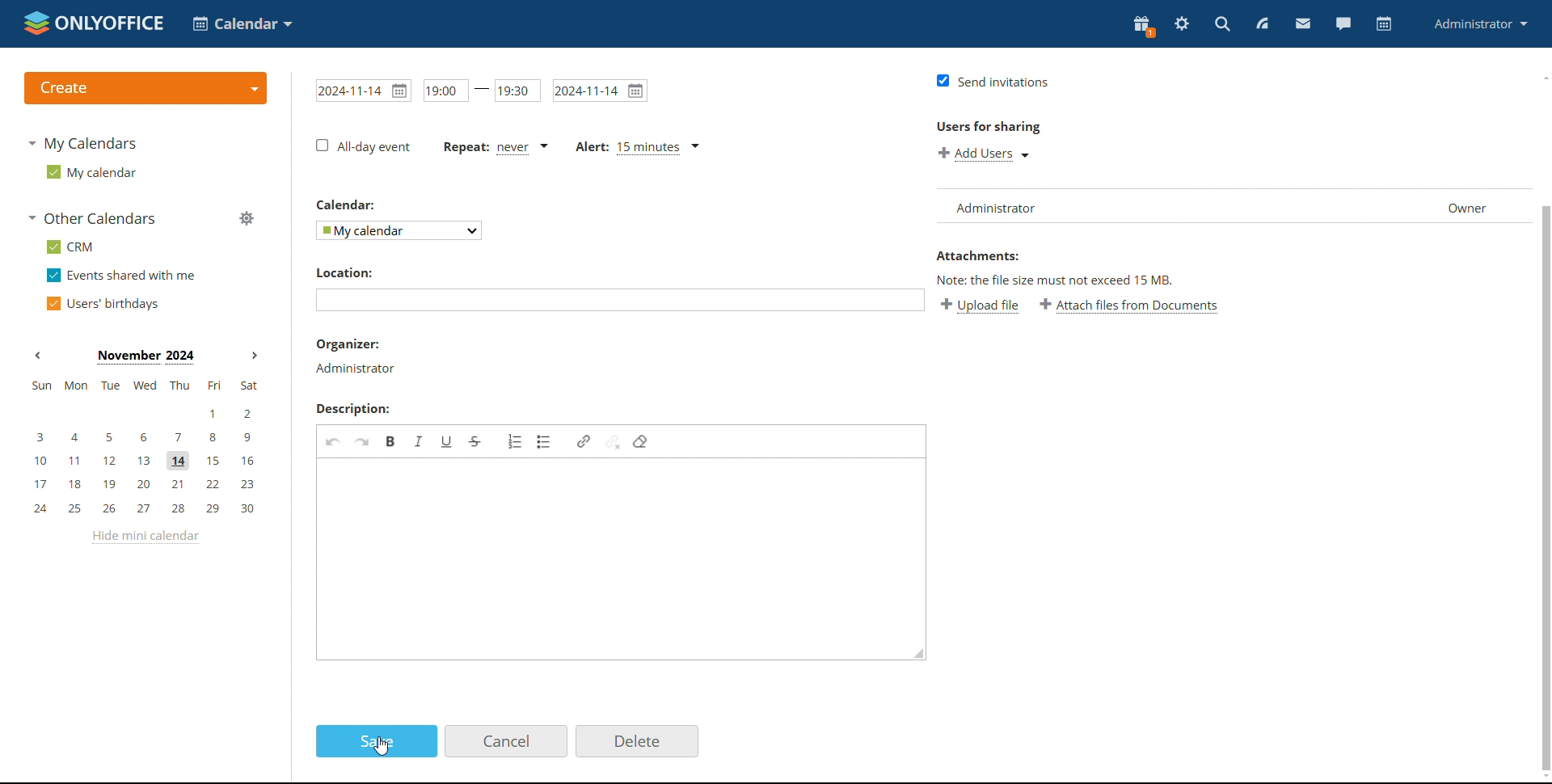 Image resolution: width=1552 pixels, height=784 pixels. Describe the element at coordinates (38, 355) in the screenshot. I see `previous month` at that location.